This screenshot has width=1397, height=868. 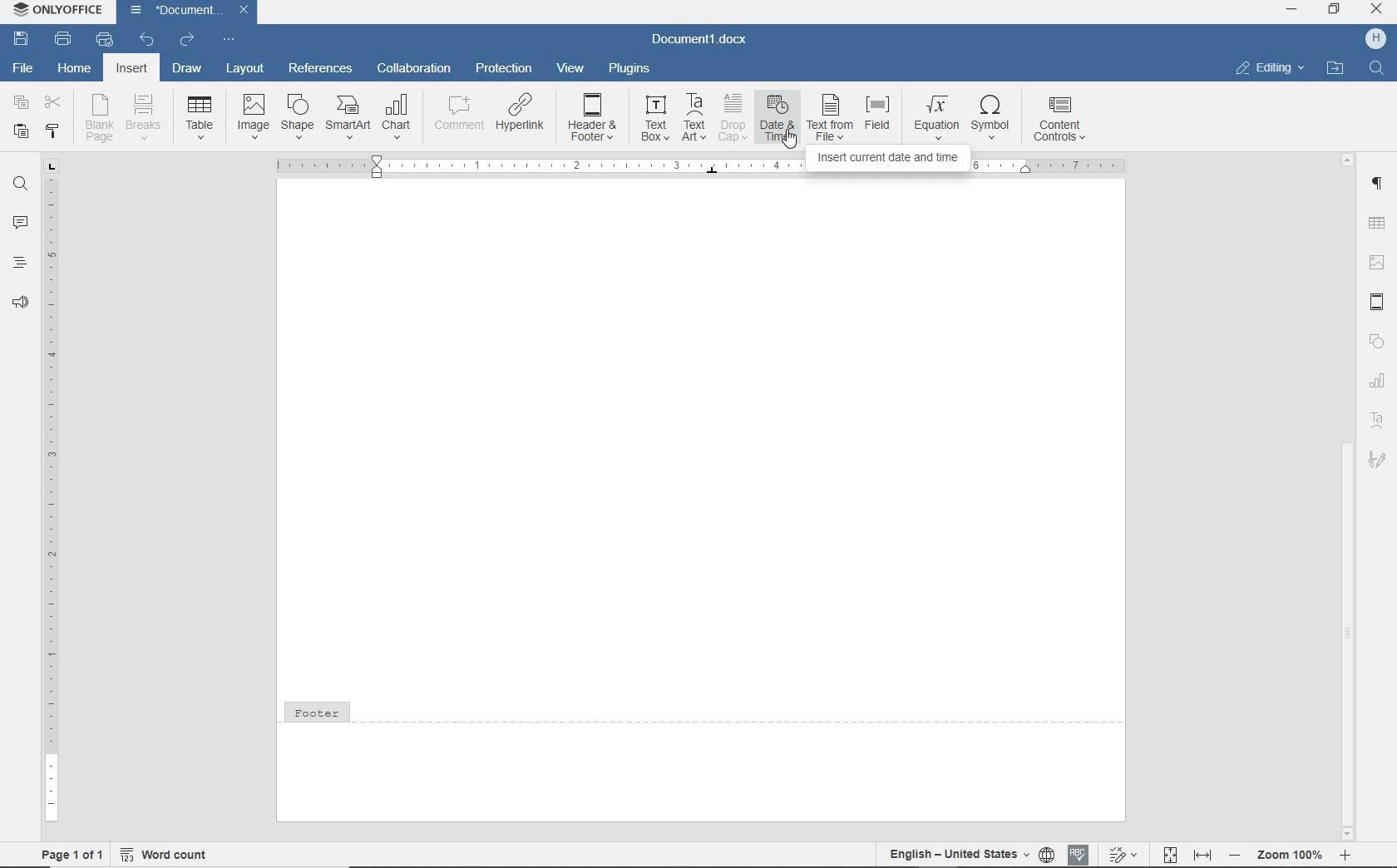 What do you see at coordinates (570, 67) in the screenshot?
I see `view` at bounding box center [570, 67].